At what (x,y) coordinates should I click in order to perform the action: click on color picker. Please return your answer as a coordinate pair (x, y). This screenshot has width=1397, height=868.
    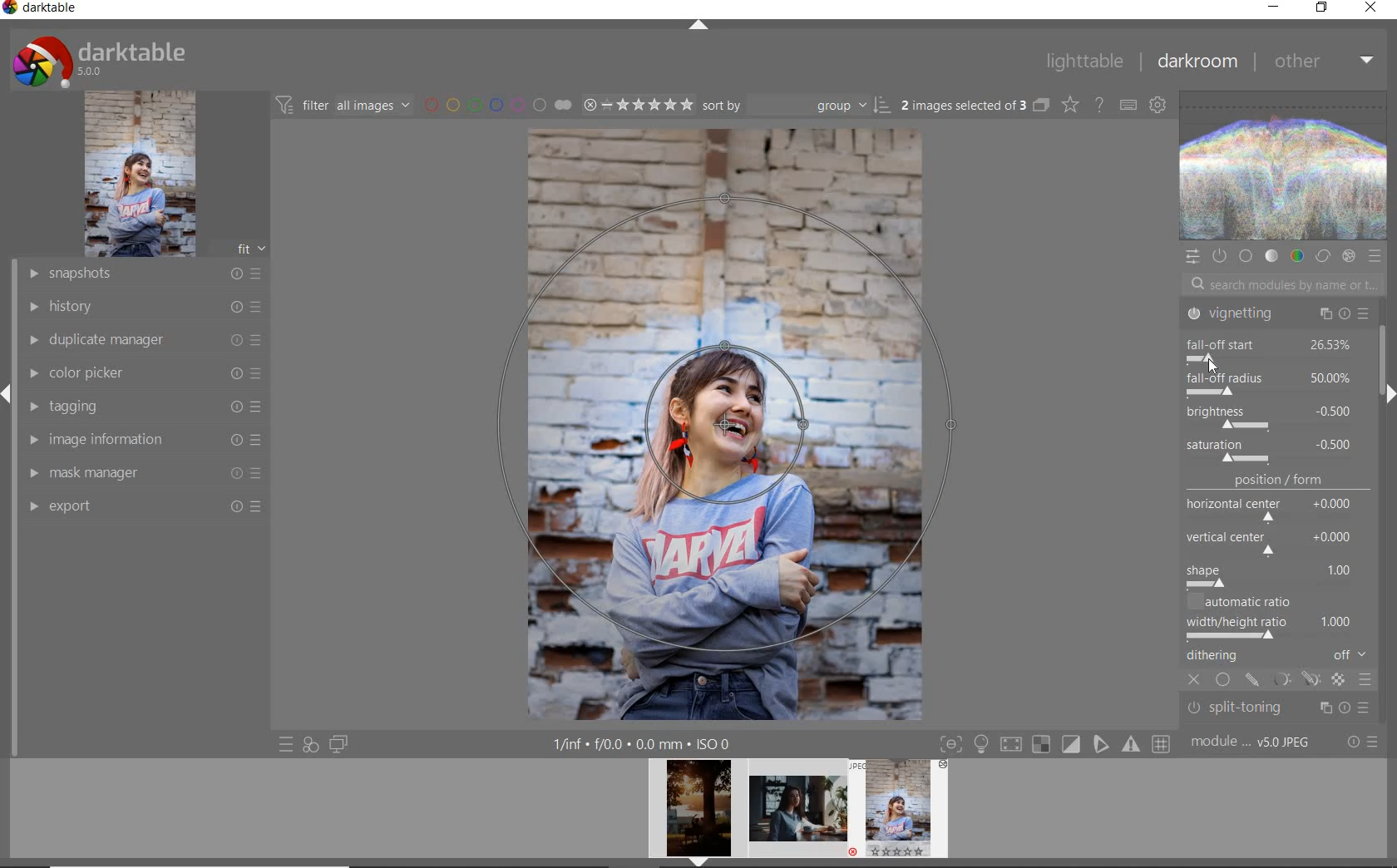
    Looking at the image, I should click on (143, 373).